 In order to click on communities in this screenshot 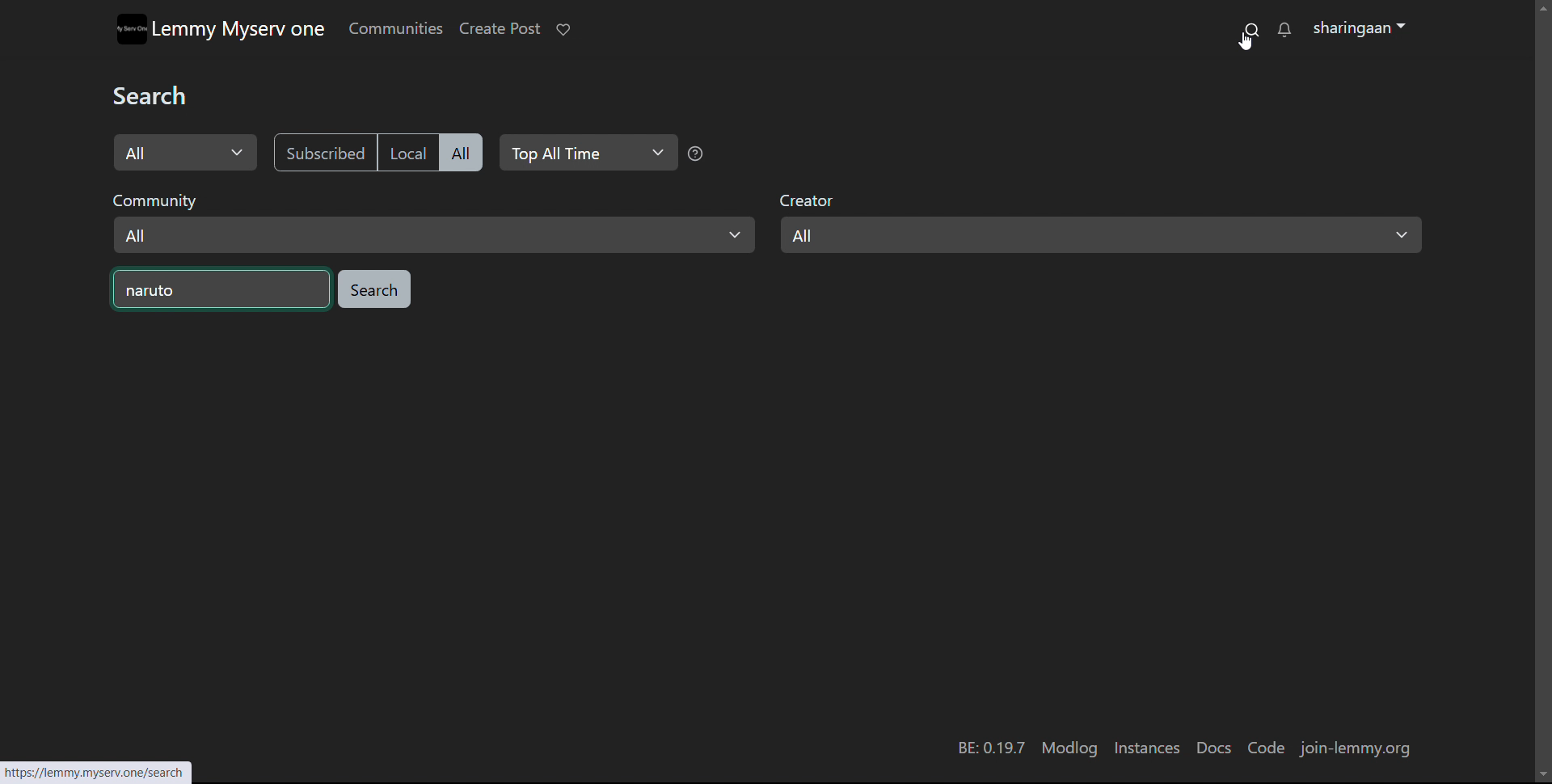, I will do `click(394, 28)`.